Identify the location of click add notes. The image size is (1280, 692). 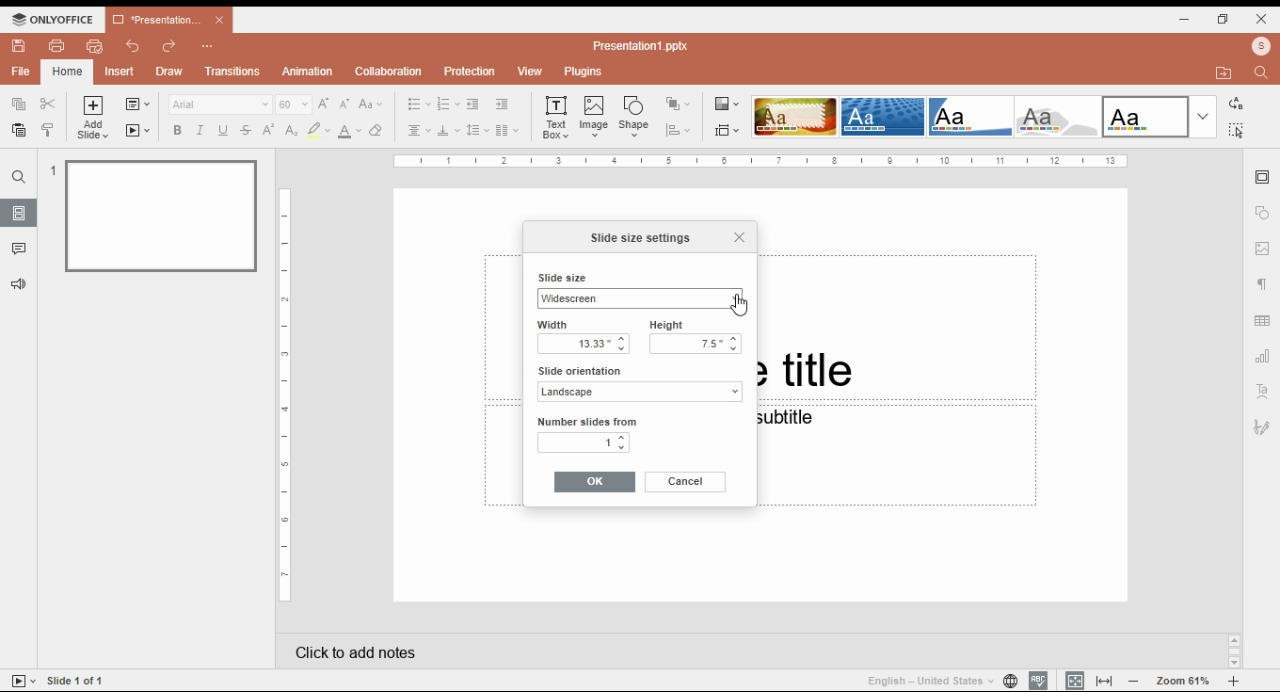
(352, 648).